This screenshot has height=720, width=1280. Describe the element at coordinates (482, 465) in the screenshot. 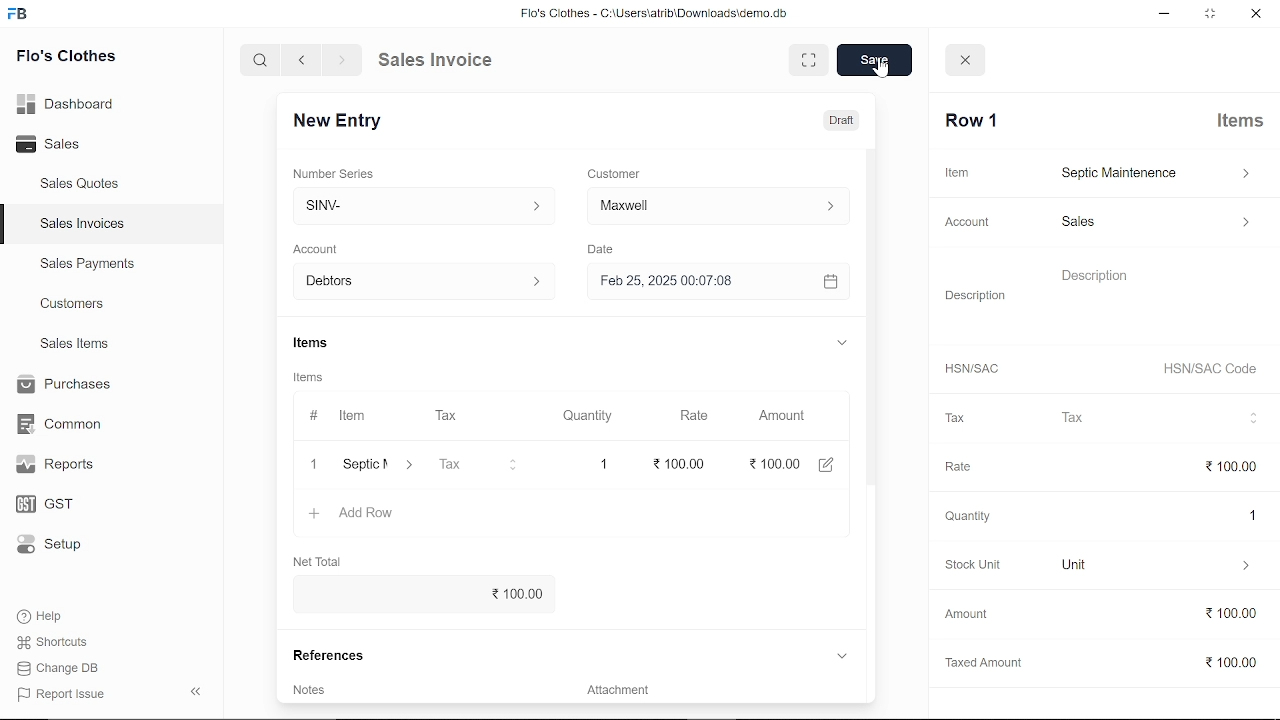

I see `Tax` at that location.